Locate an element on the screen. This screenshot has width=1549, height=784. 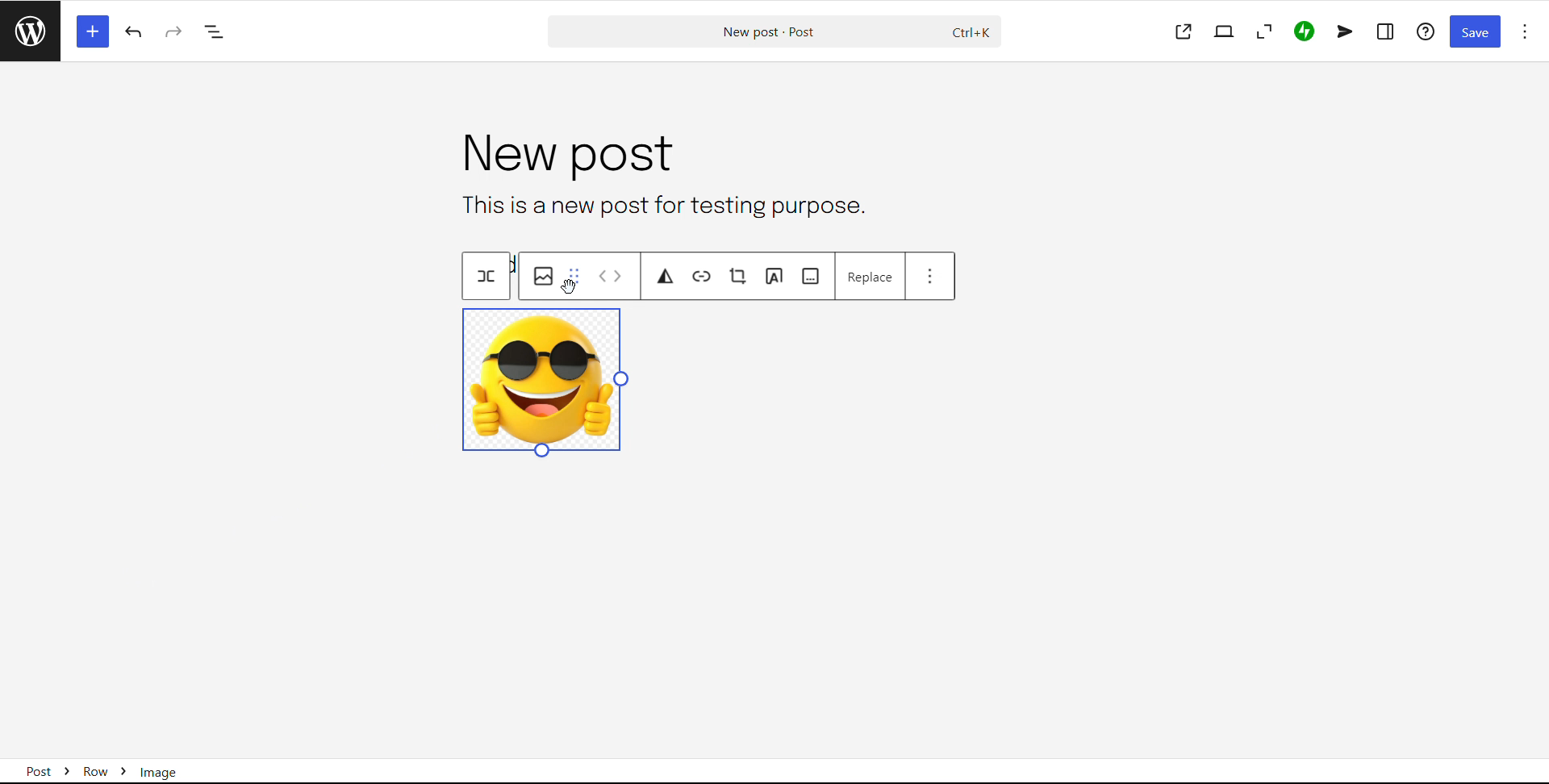
add caption is located at coordinates (811, 276).